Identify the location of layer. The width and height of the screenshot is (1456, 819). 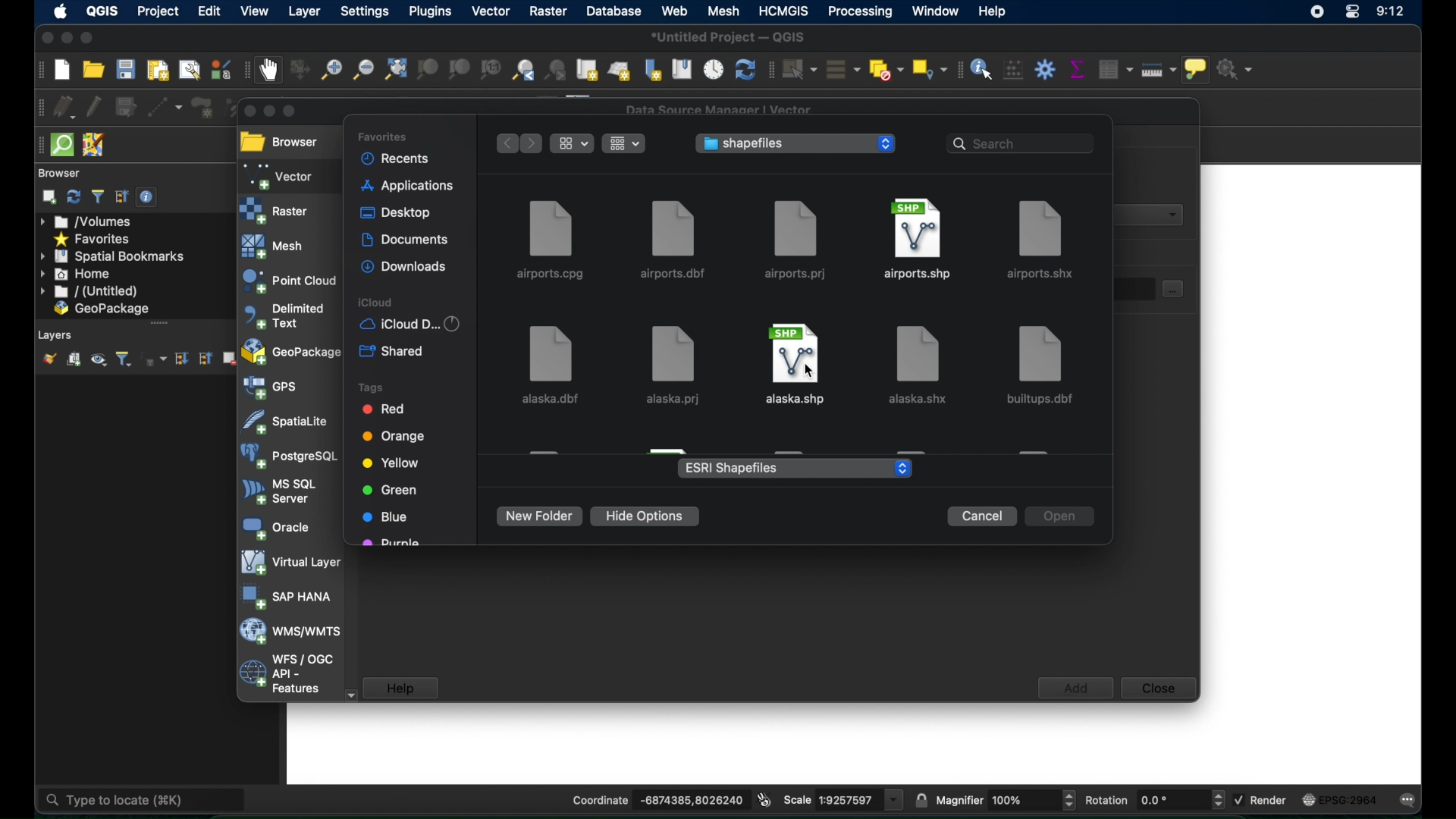
(302, 11).